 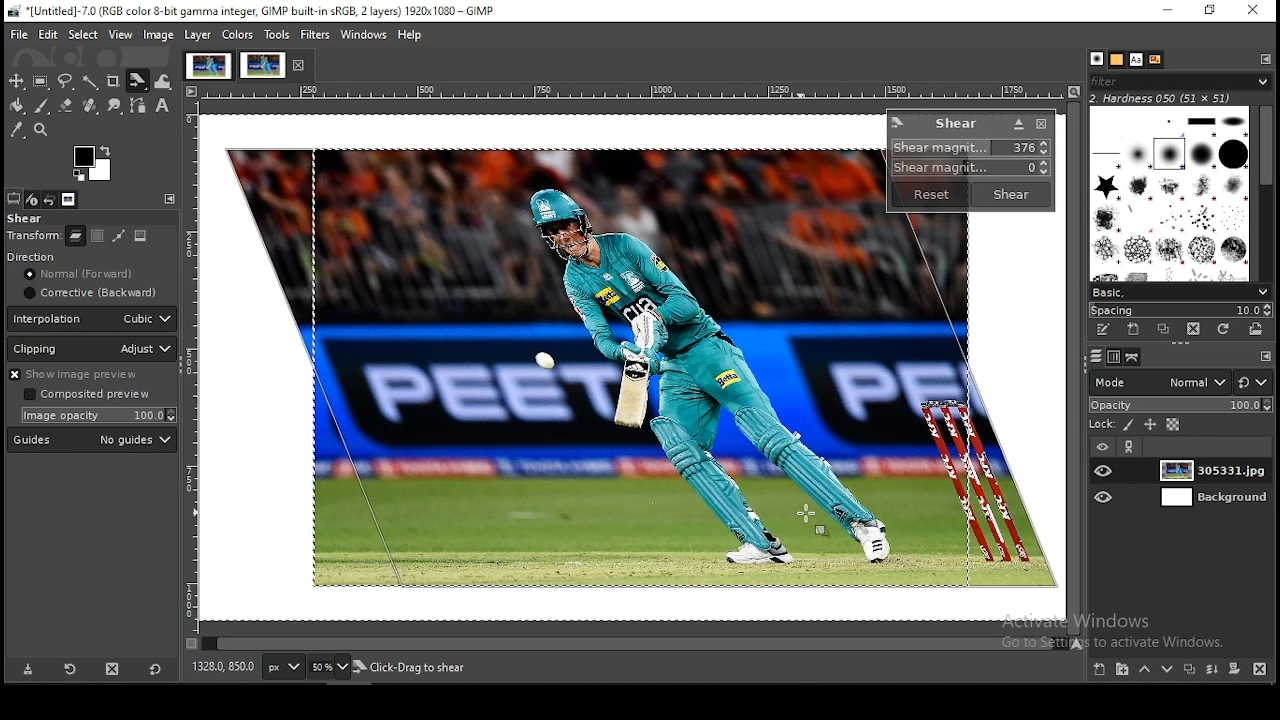 I want to click on refresh brushes, so click(x=1224, y=330).